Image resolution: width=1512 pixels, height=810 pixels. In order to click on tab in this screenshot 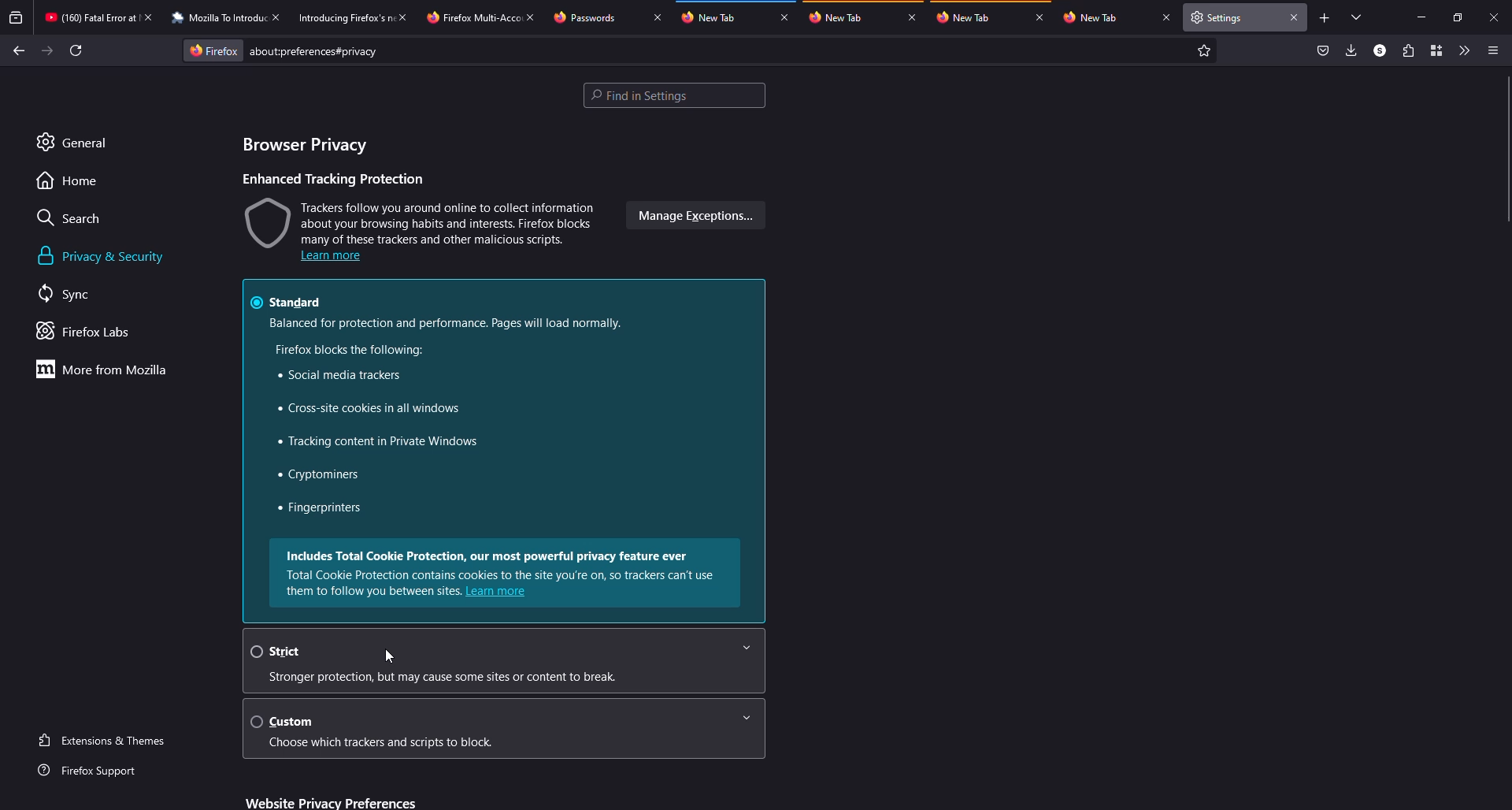, I will do `click(473, 18)`.